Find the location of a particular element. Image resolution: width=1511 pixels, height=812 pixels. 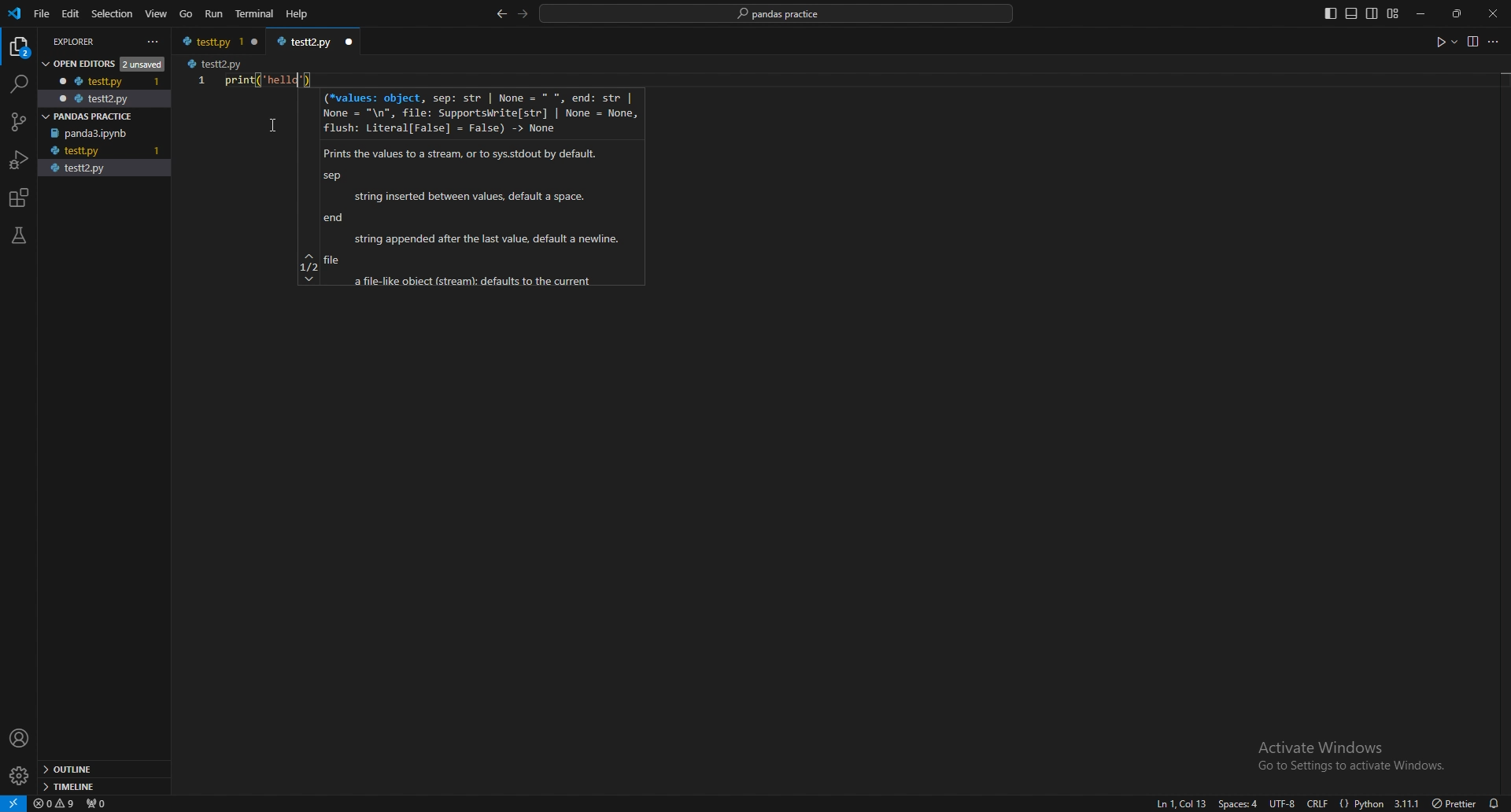

customize layout is located at coordinates (1392, 14).